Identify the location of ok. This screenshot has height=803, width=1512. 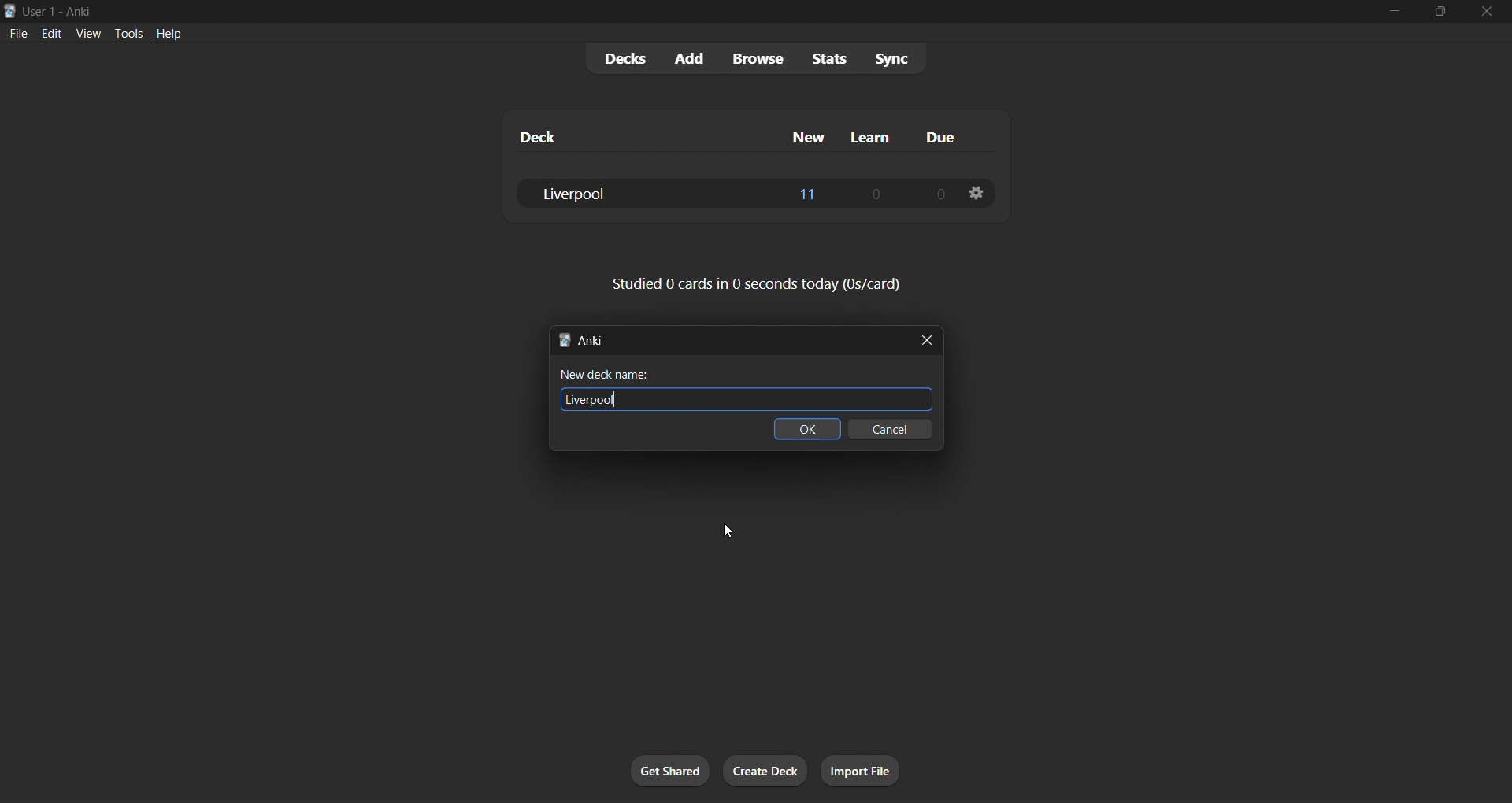
(808, 428).